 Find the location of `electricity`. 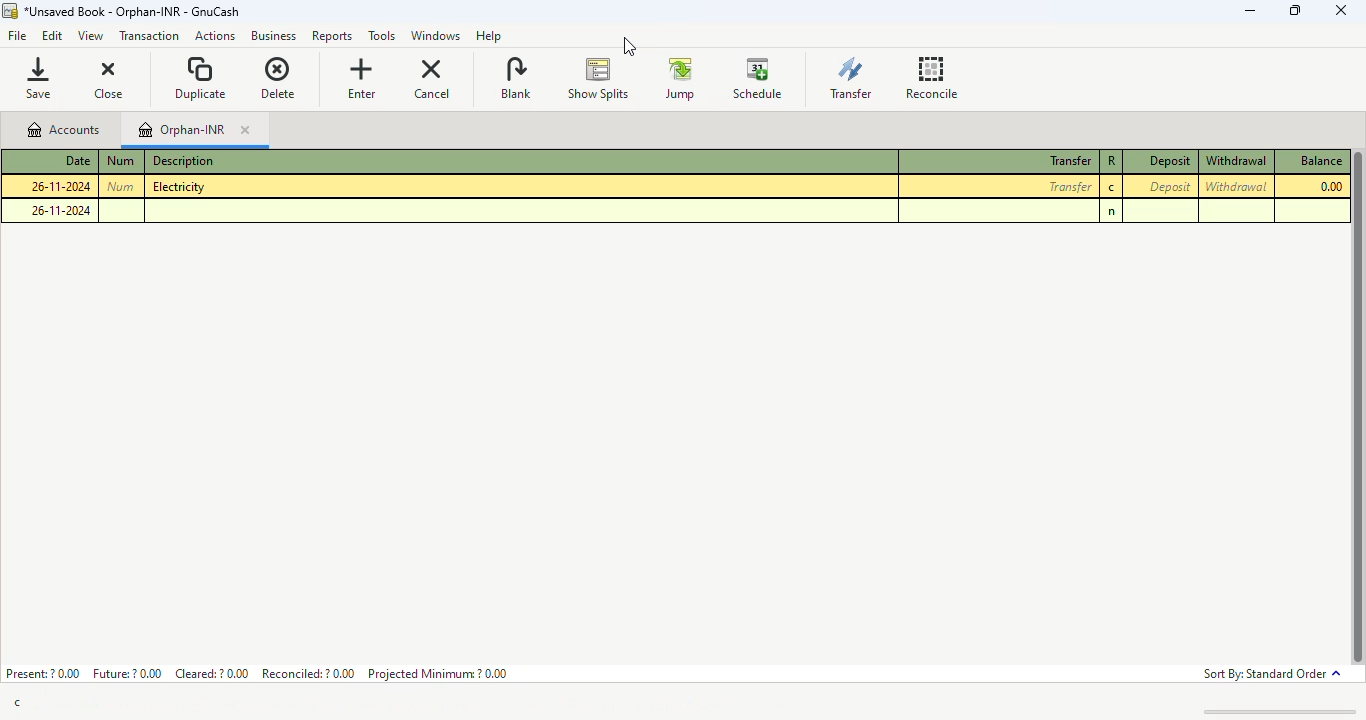

electricity is located at coordinates (178, 186).